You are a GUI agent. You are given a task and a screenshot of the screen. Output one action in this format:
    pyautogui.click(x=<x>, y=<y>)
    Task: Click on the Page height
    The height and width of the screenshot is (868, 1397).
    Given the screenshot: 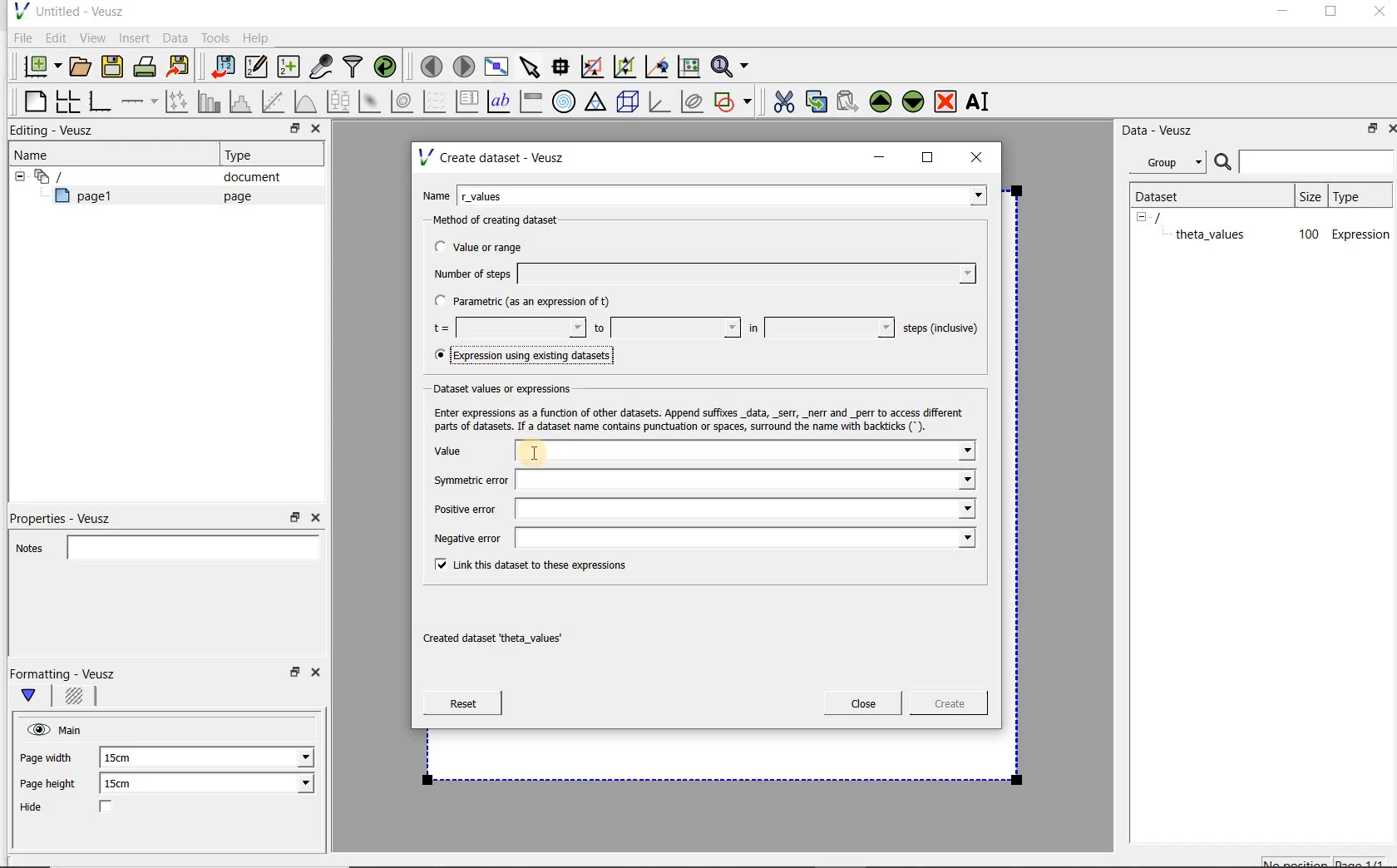 What is the action you would take?
    pyautogui.click(x=53, y=786)
    